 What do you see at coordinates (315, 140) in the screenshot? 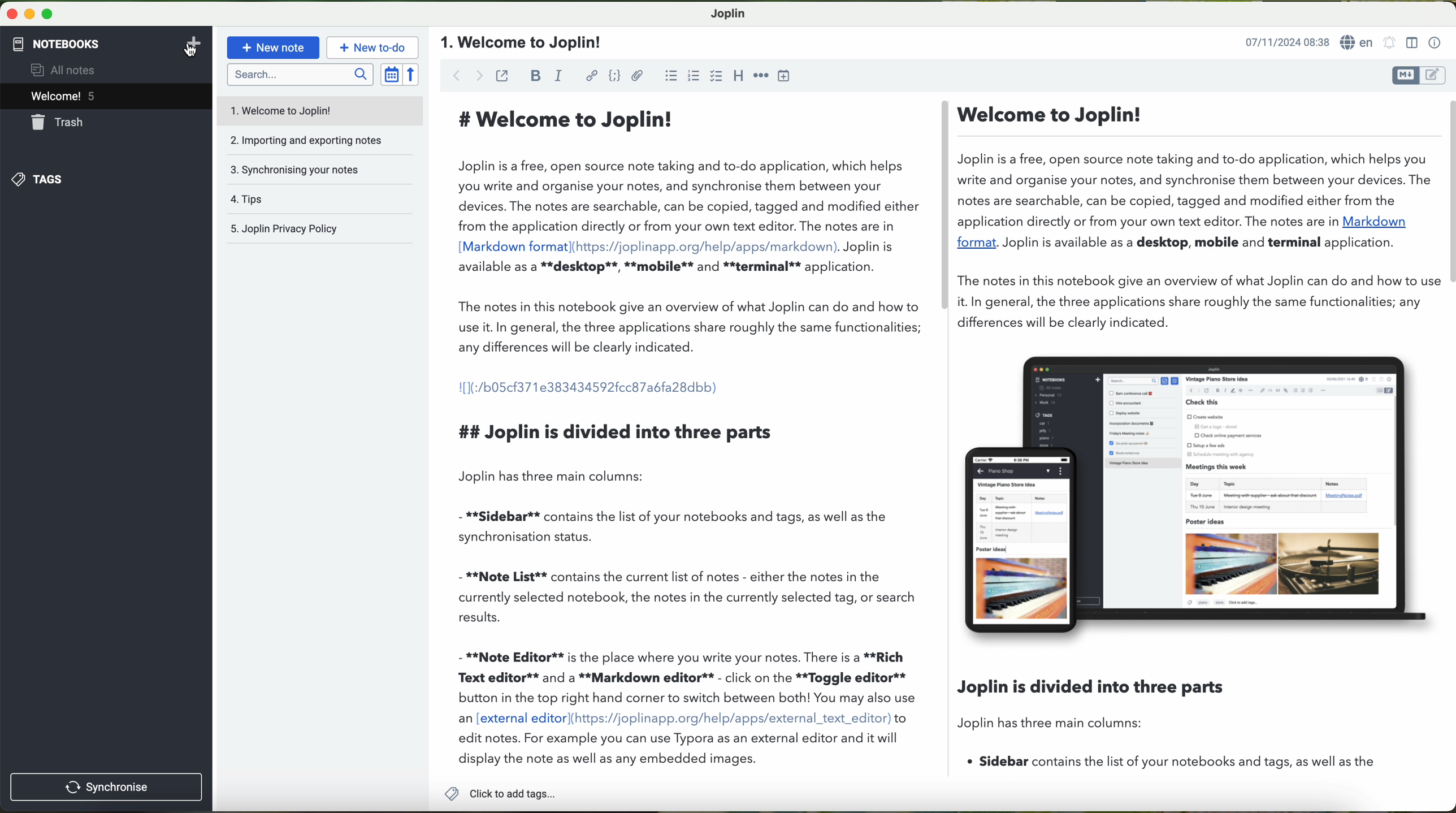
I see `importing and exporting notes` at bounding box center [315, 140].